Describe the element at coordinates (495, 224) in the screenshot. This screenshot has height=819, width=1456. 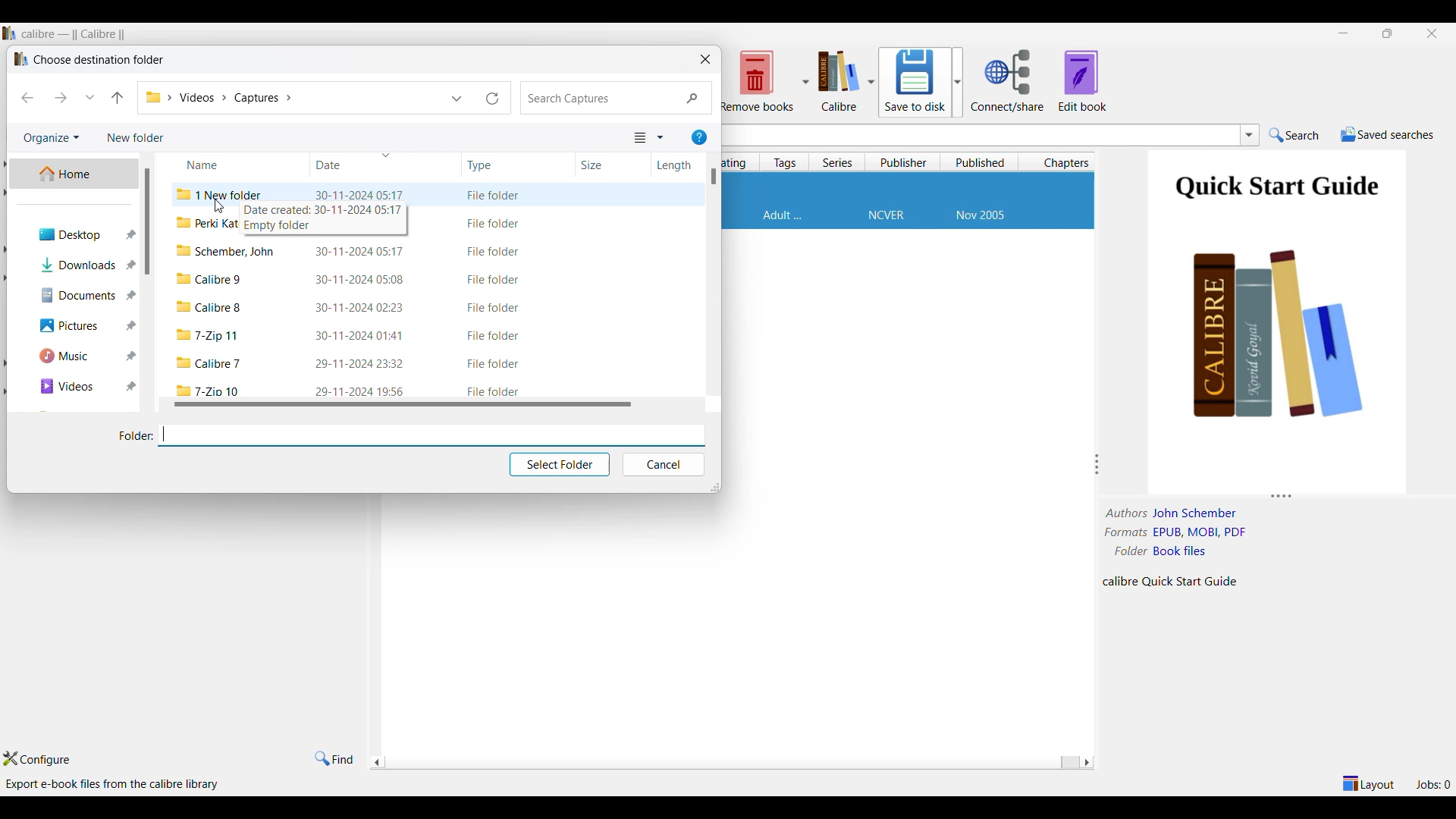
I see `file folder` at that location.